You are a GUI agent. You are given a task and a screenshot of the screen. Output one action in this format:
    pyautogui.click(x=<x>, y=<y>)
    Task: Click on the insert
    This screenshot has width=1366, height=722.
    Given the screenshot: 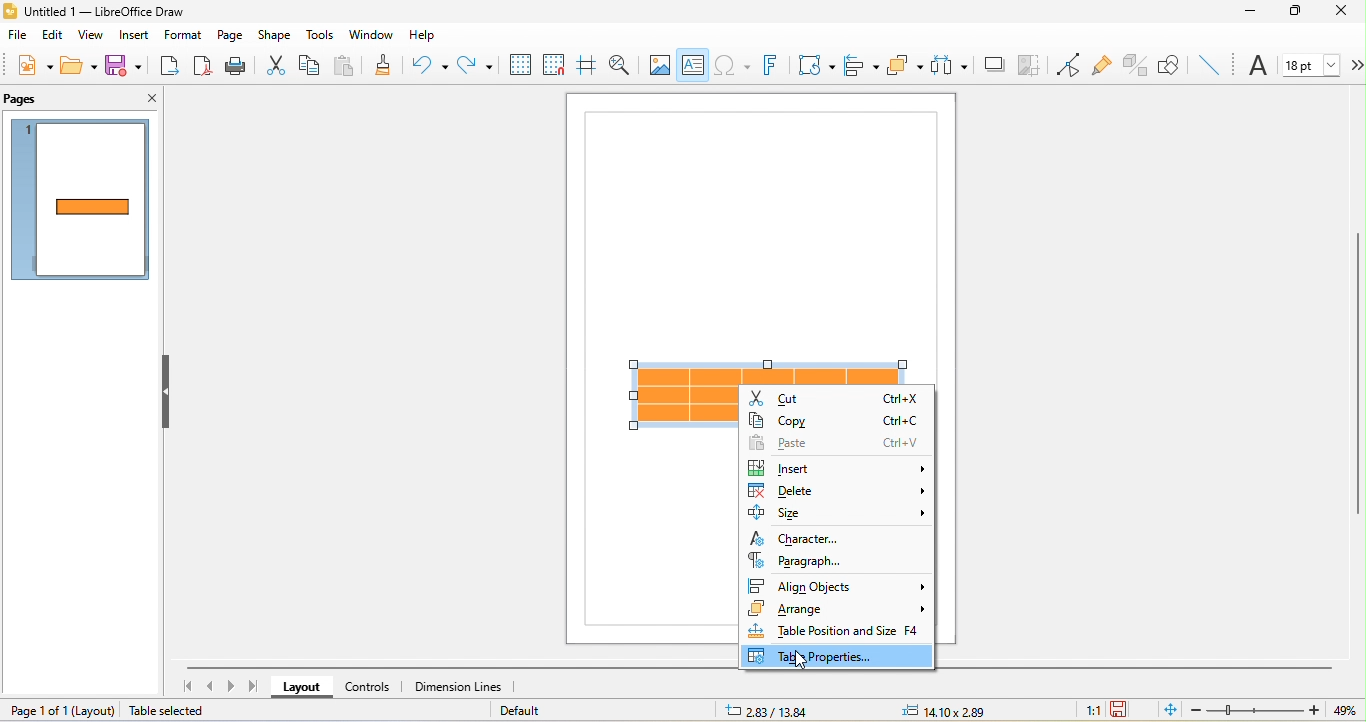 What is the action you would take?
    pyautogui.click(x=133, y=37)
    